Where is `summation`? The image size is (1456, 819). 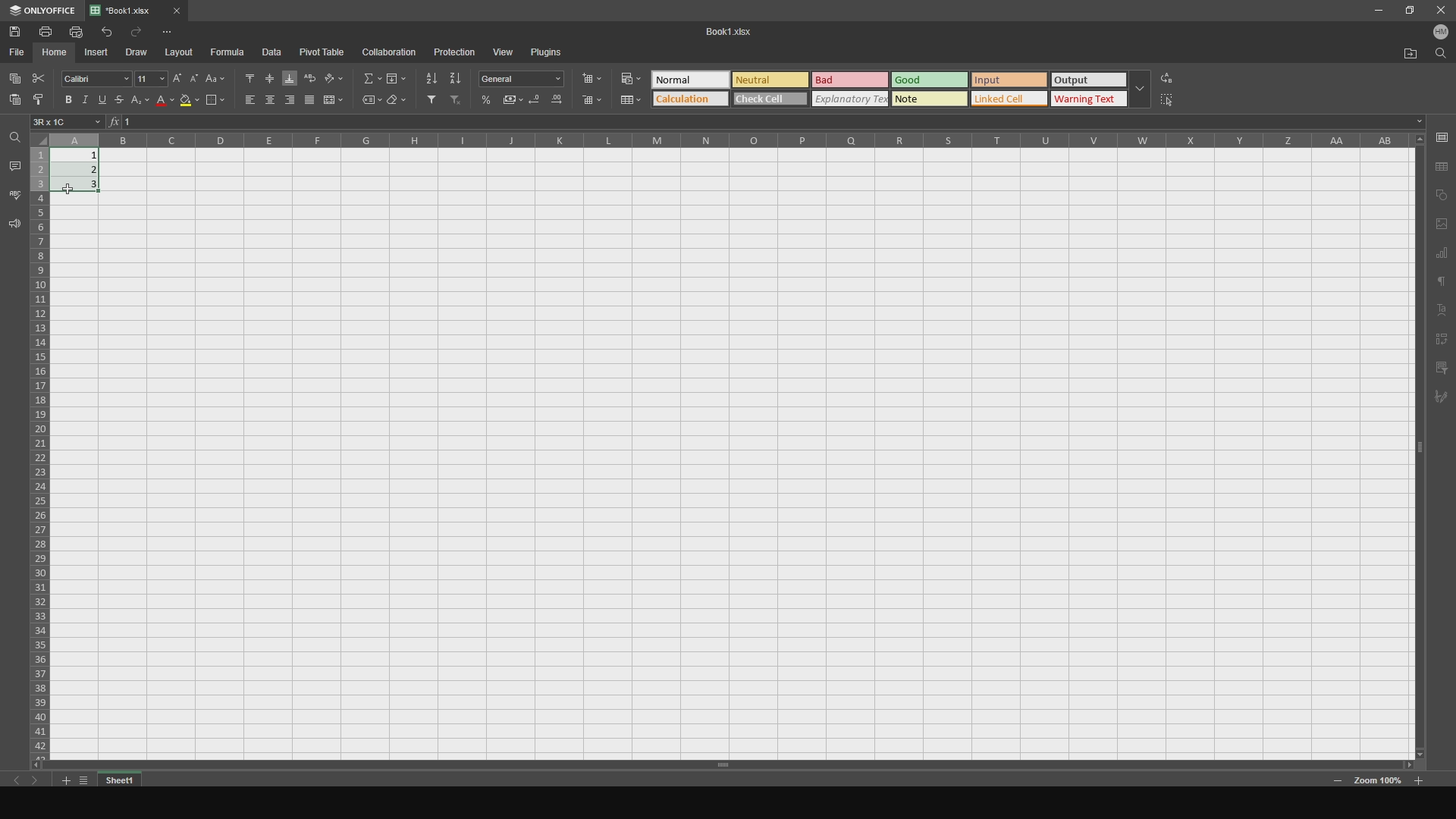 summation is located at coordinates (366, 77).